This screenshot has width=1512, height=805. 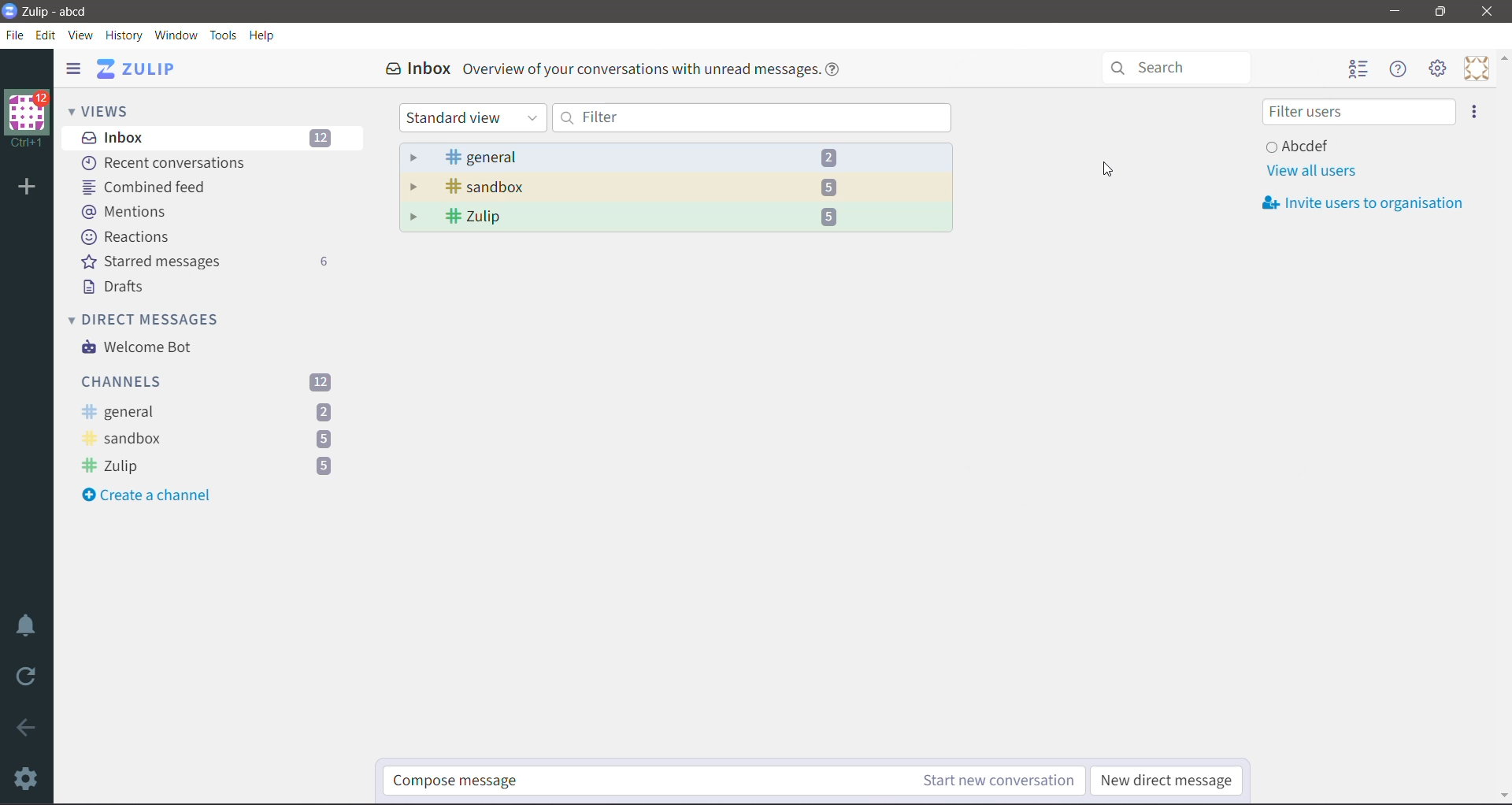 I want to click on Reactions, so click(x=129, y=237).